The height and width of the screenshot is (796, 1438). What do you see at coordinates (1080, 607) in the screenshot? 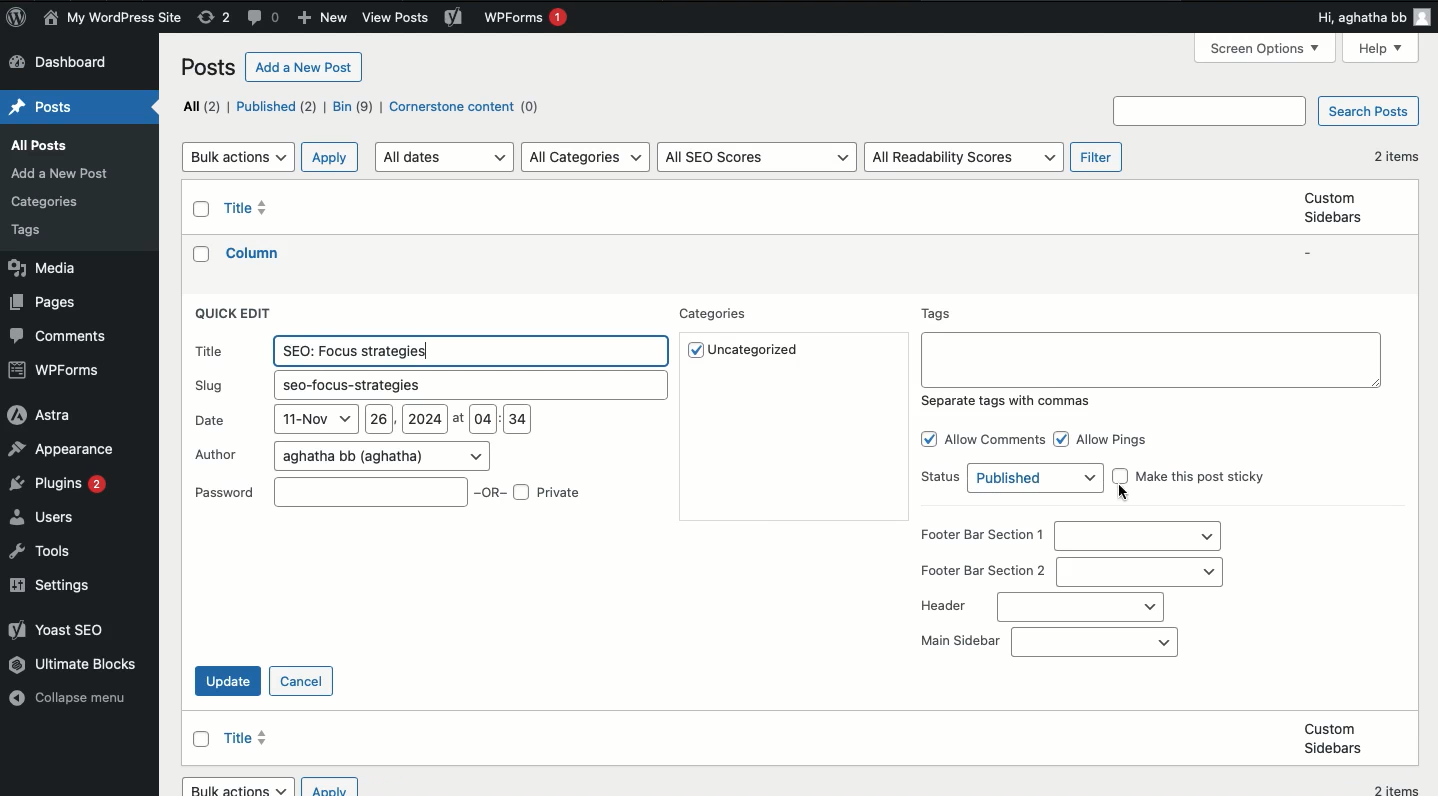
I see `header` at bounding box center [1080, 607].